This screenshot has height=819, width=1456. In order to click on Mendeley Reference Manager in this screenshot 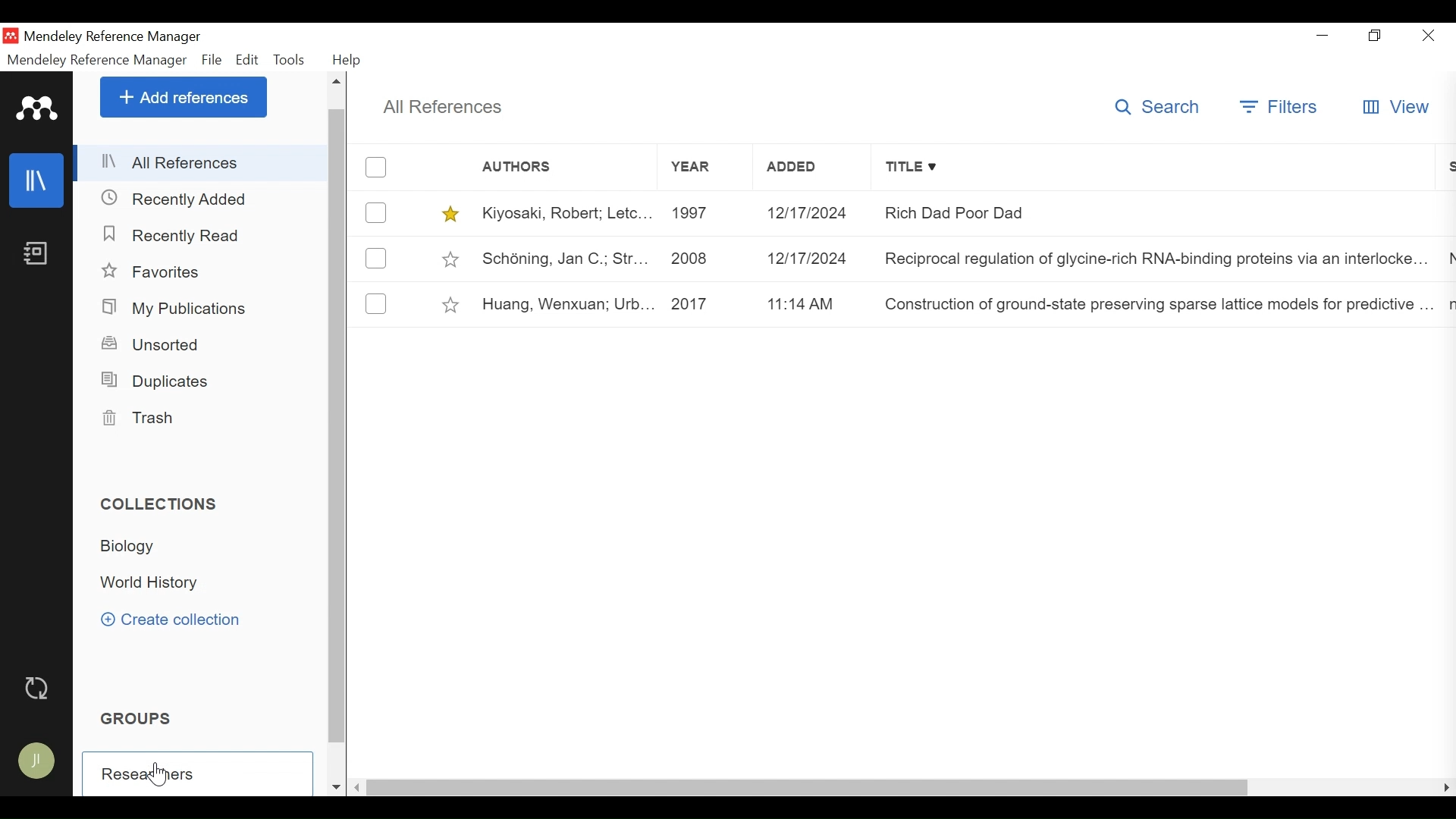, I will do `click(98, 60)`.